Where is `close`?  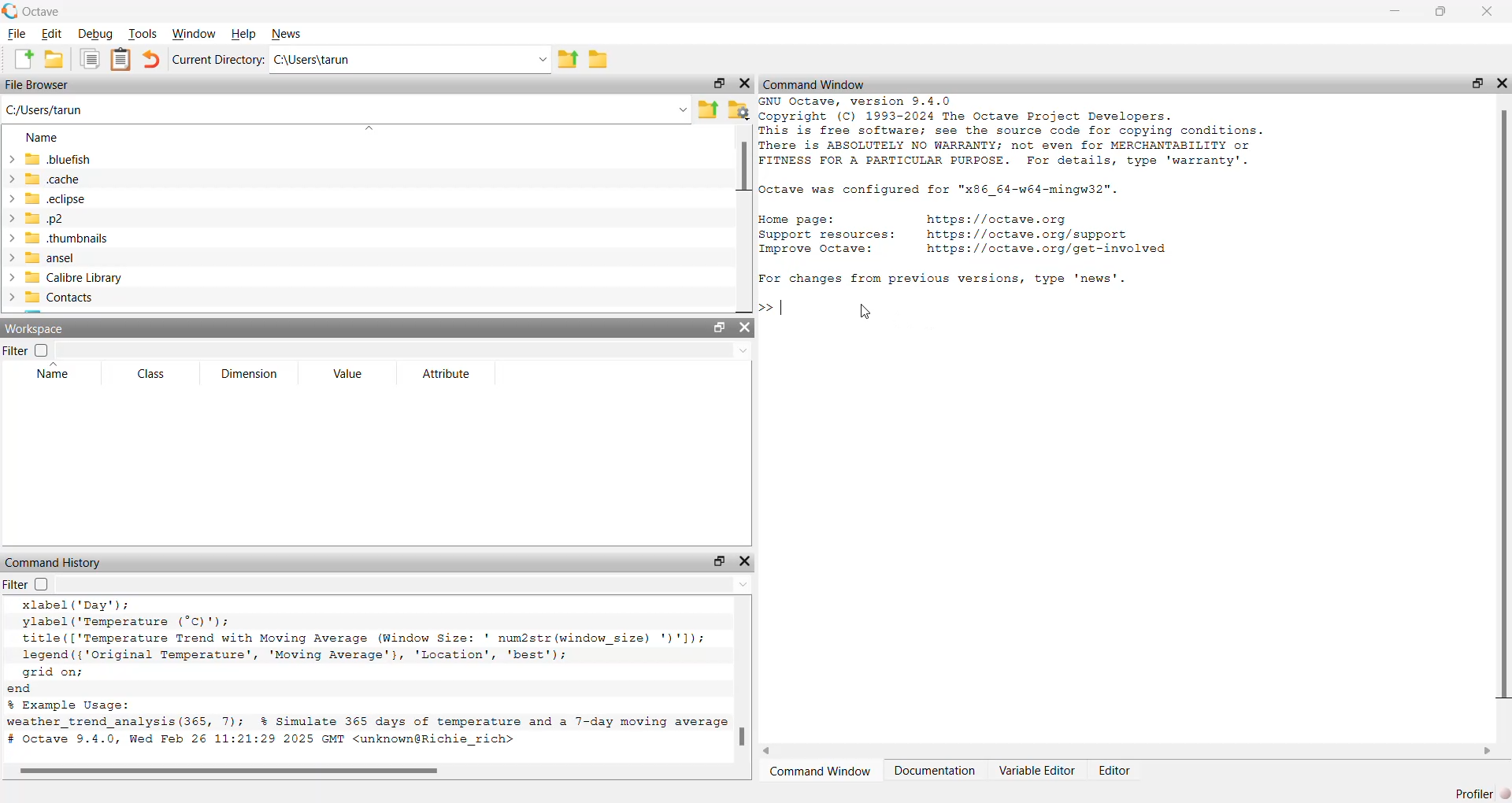 close is located at coordinates (1502, 83).